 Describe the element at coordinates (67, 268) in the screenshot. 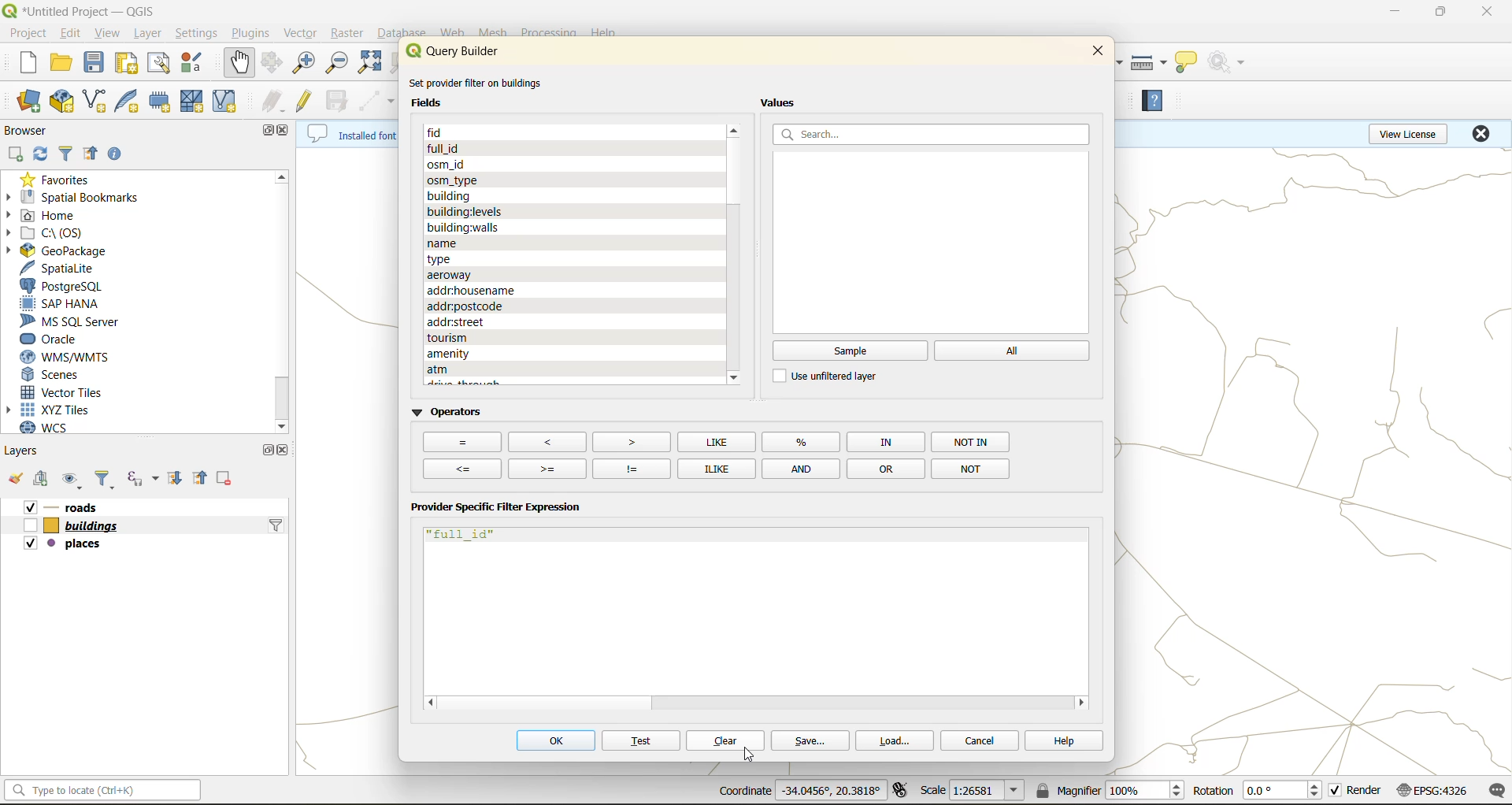

I see `spatialite` at that location.